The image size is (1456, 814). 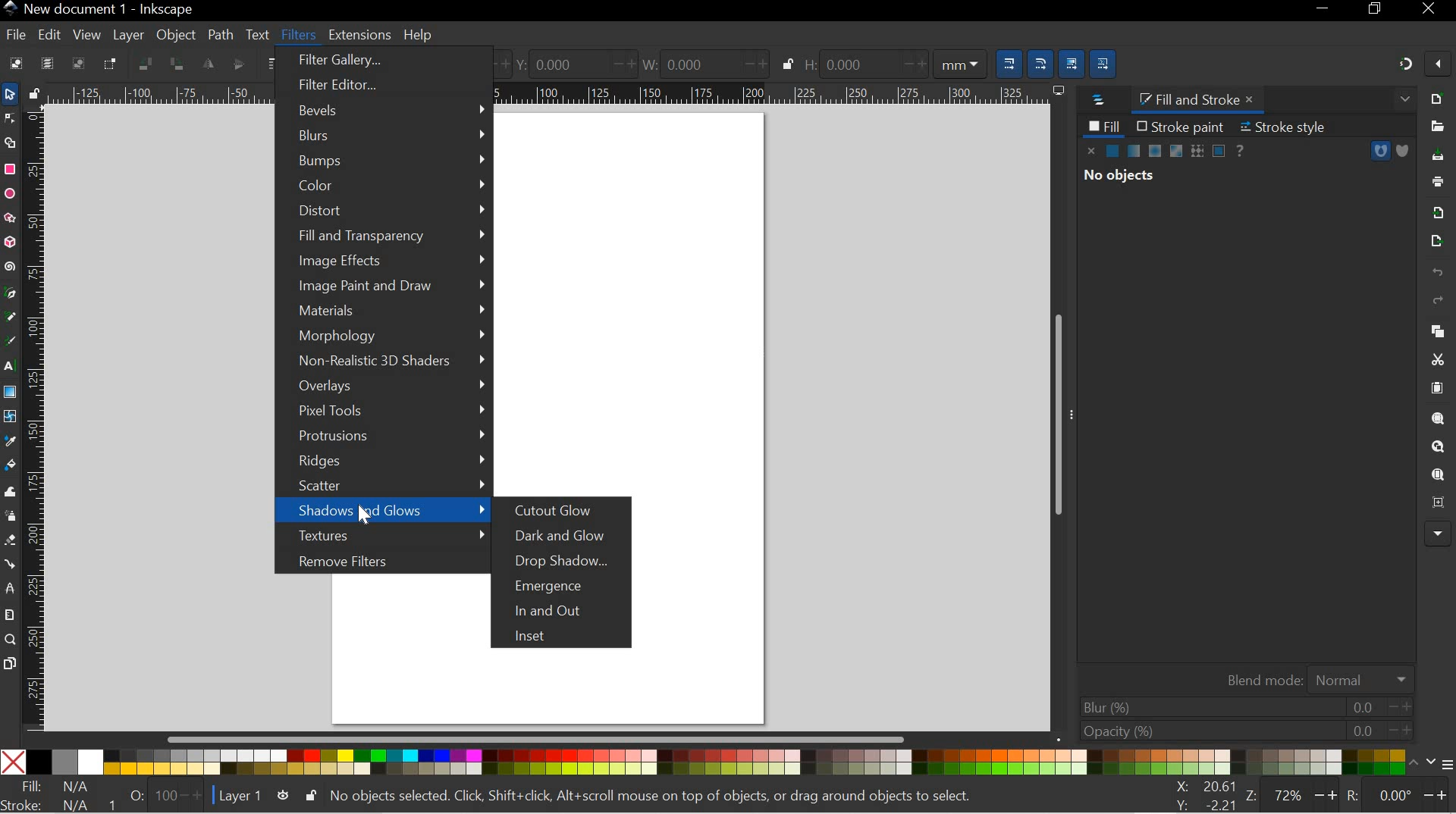 What do you see at coordinates (1242, 149) in the screenshot?
I see `UNSET PAINT` at bounding box center [1242, 149].